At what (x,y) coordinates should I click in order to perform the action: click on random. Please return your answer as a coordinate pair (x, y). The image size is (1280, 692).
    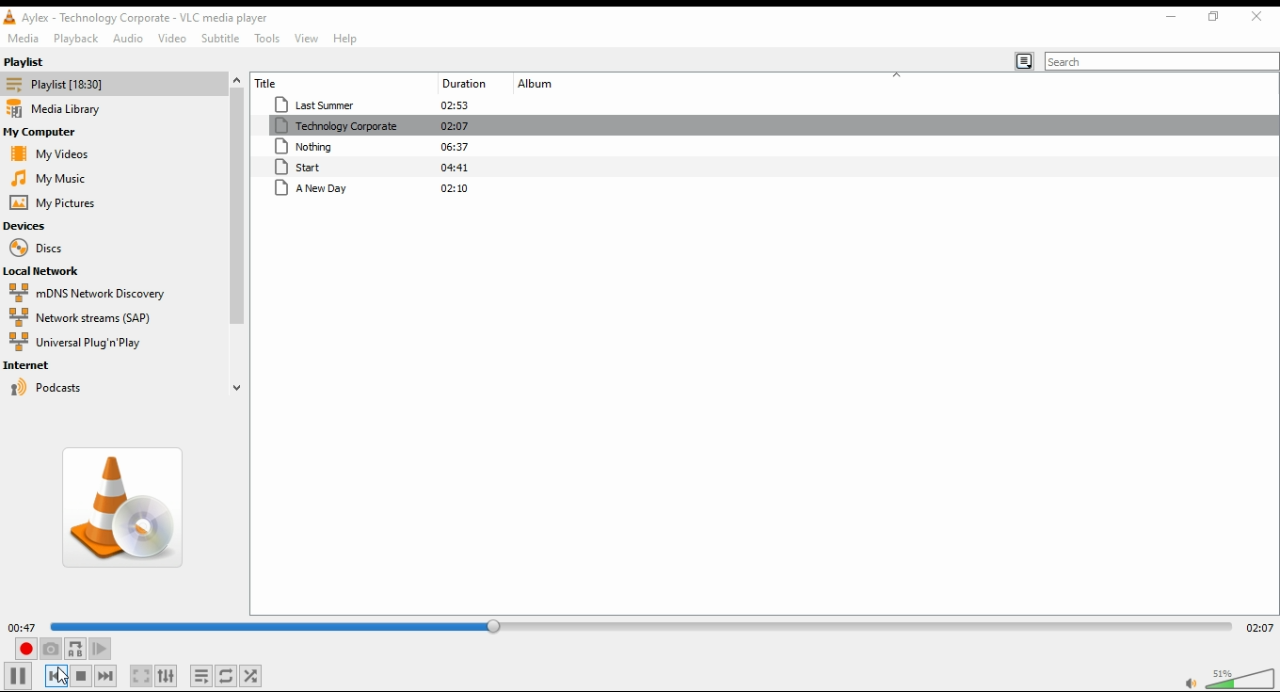
    Looking at the image, I should click on (251, 677).